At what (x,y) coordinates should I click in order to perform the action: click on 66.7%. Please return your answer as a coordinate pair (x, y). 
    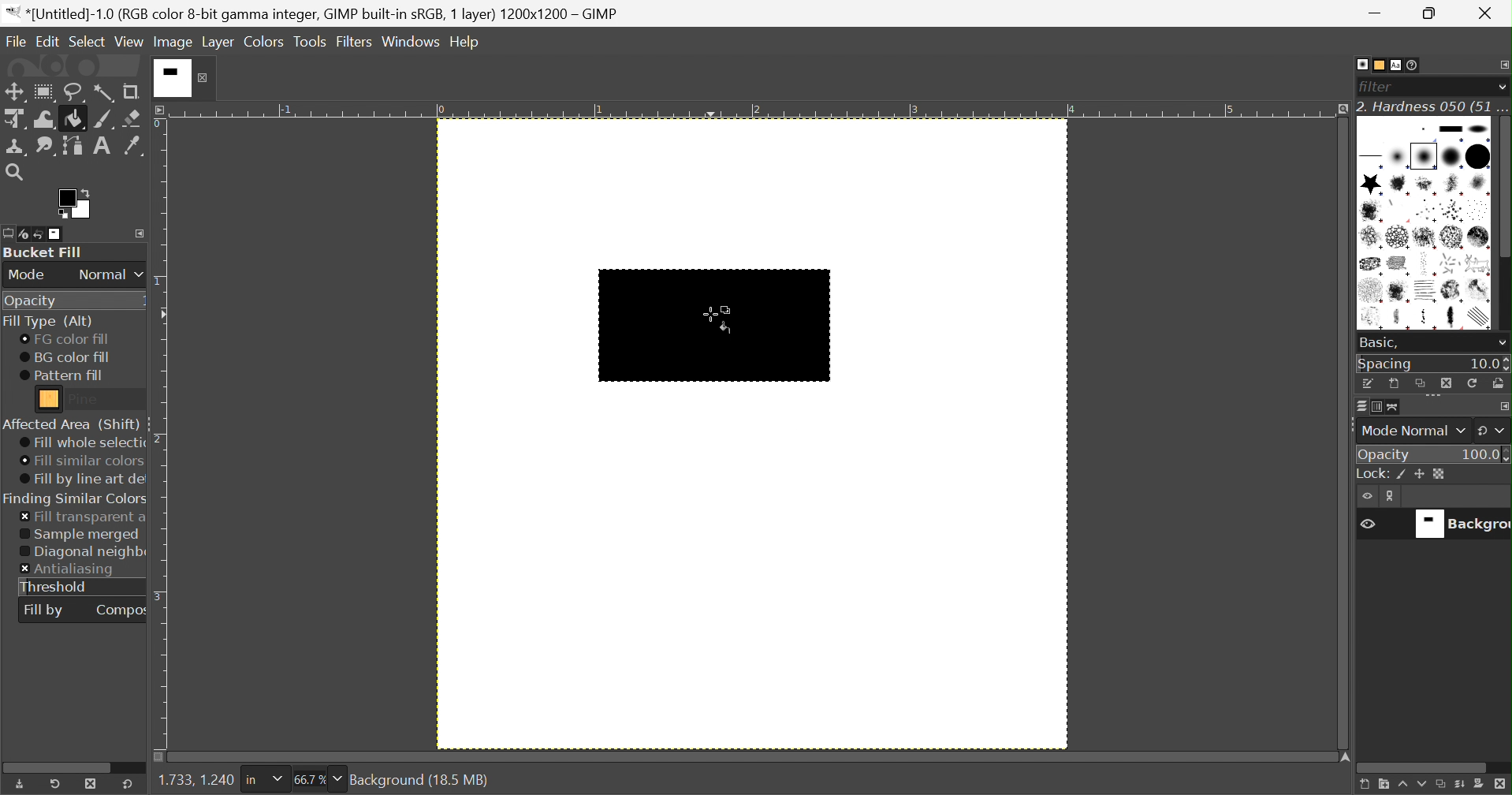
    Looking at the image, I should click on (309, 780).